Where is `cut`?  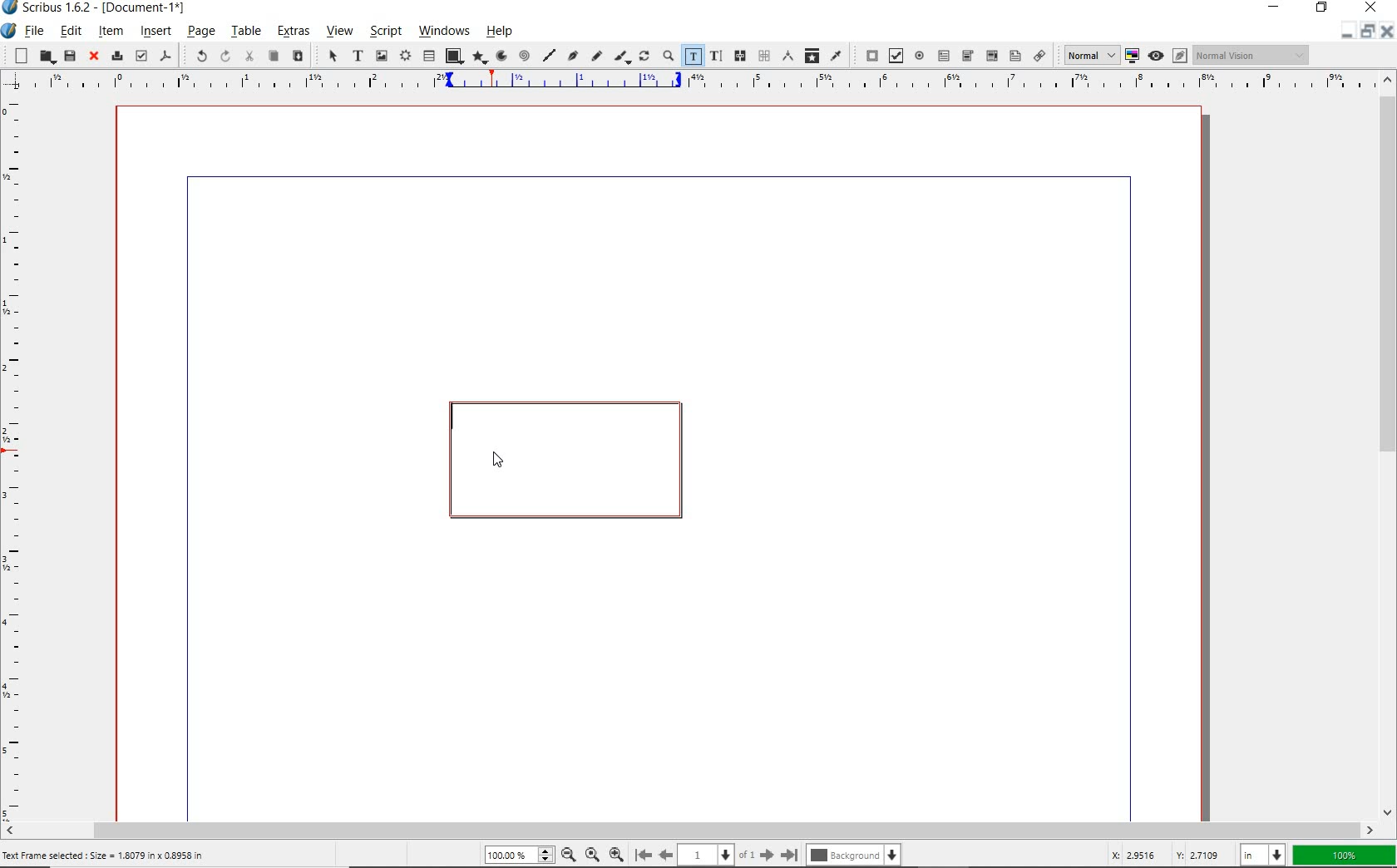 cut is located at coordinates (249, 56).